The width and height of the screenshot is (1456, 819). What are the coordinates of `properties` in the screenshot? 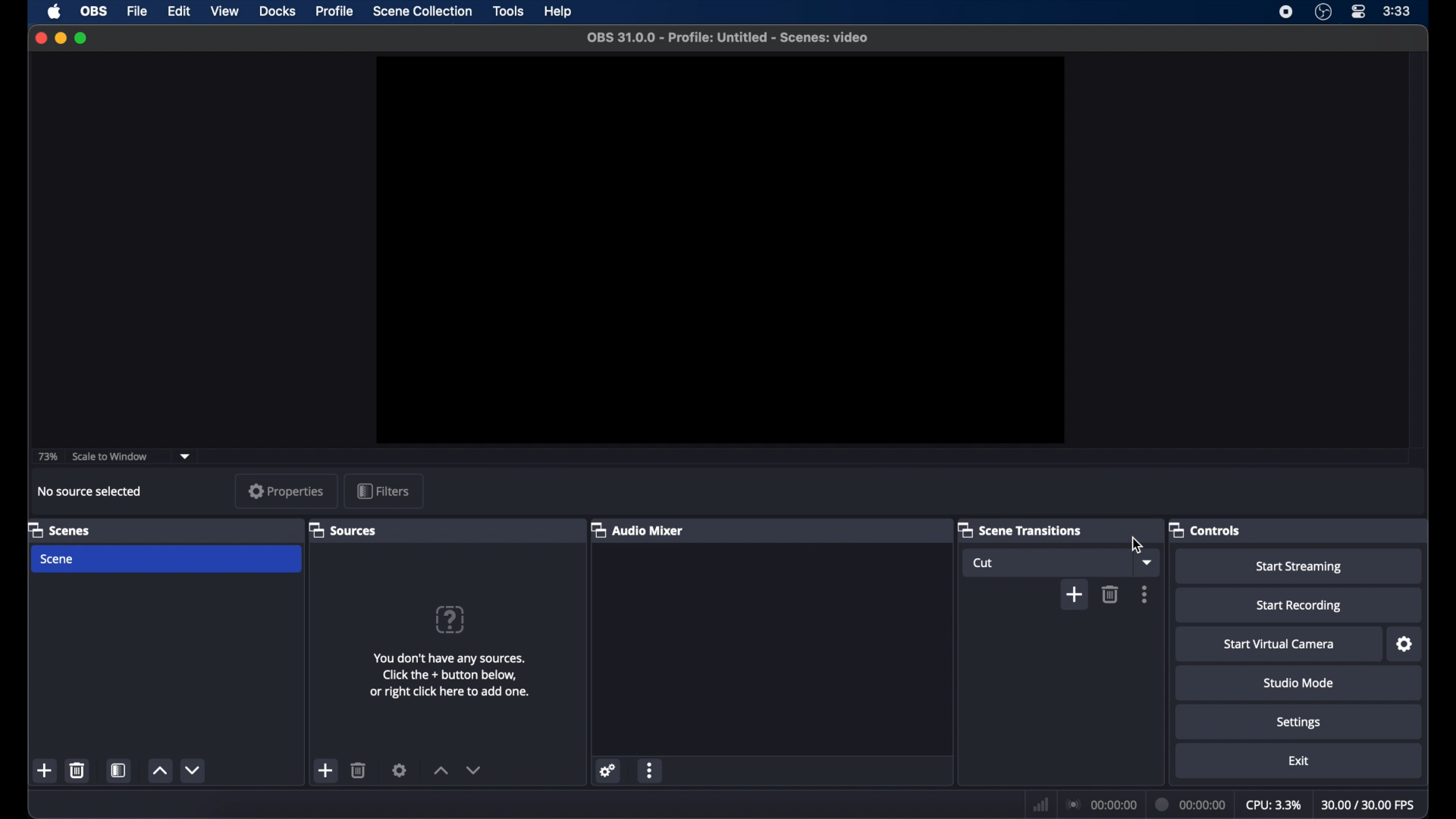 It's located at (287, 491).